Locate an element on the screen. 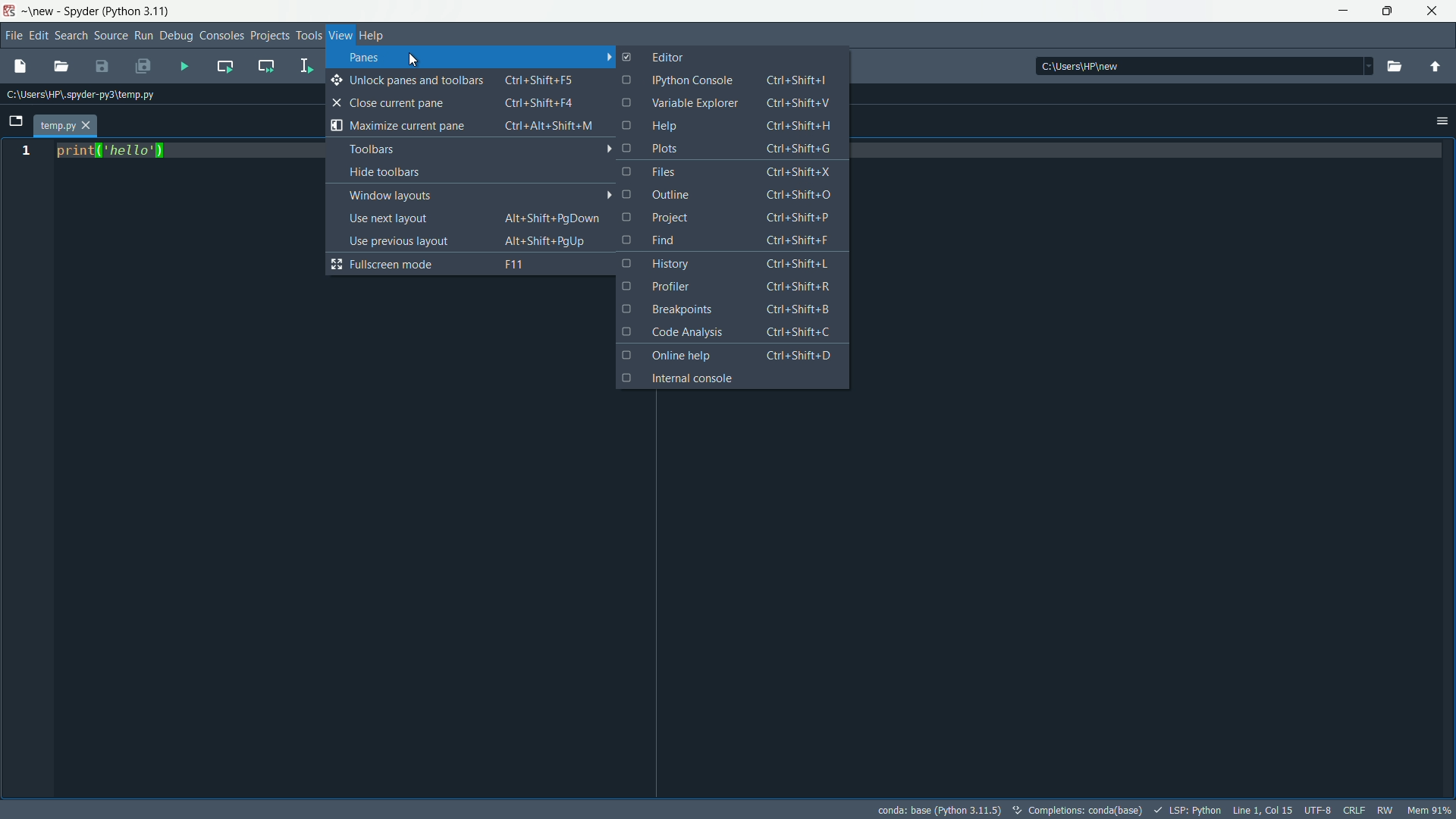 This screenshot has width=1456, height=819. debug menu is located at coordinates (177, 36).